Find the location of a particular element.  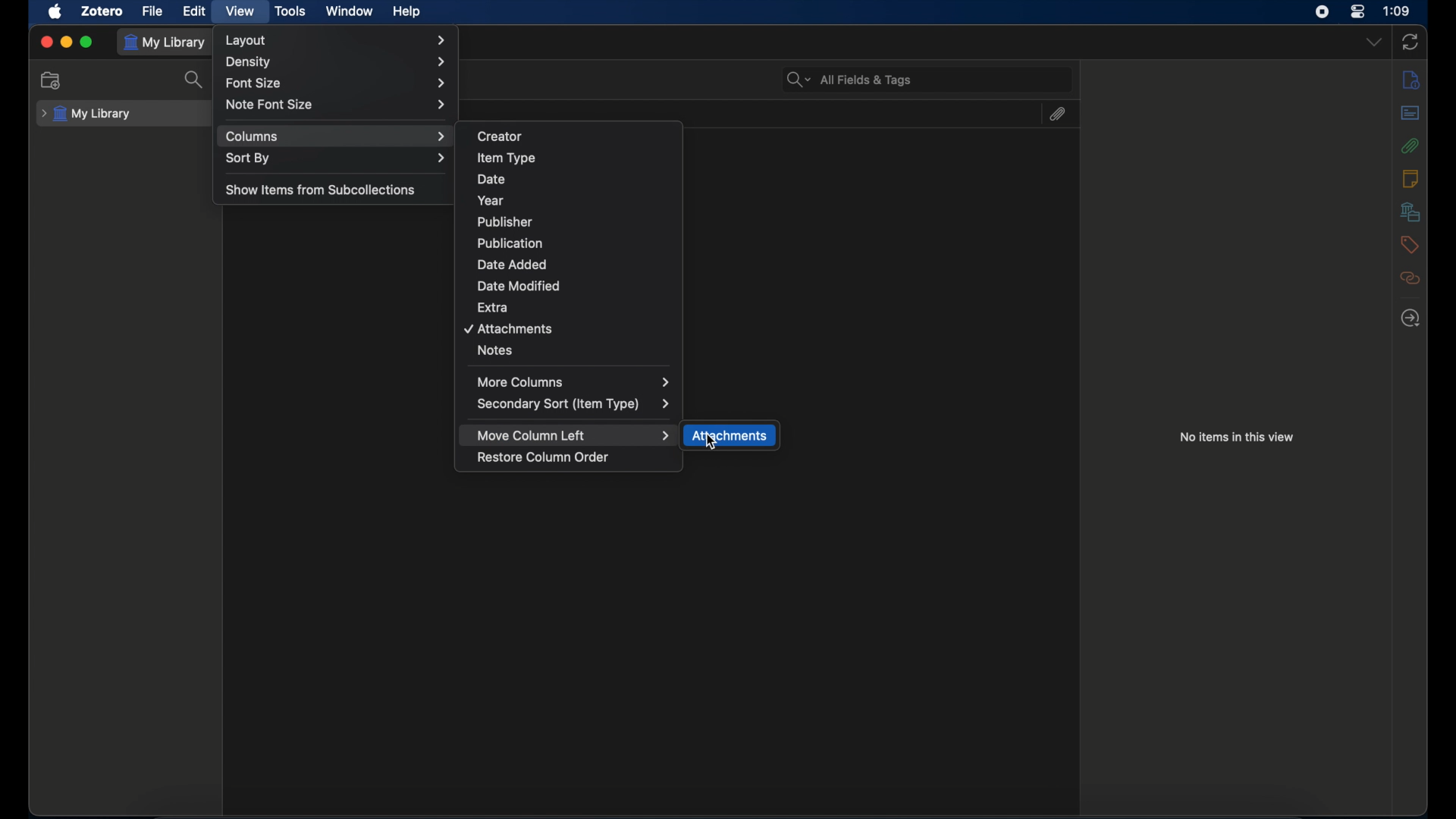

date added is located at coordinates (511, 264).